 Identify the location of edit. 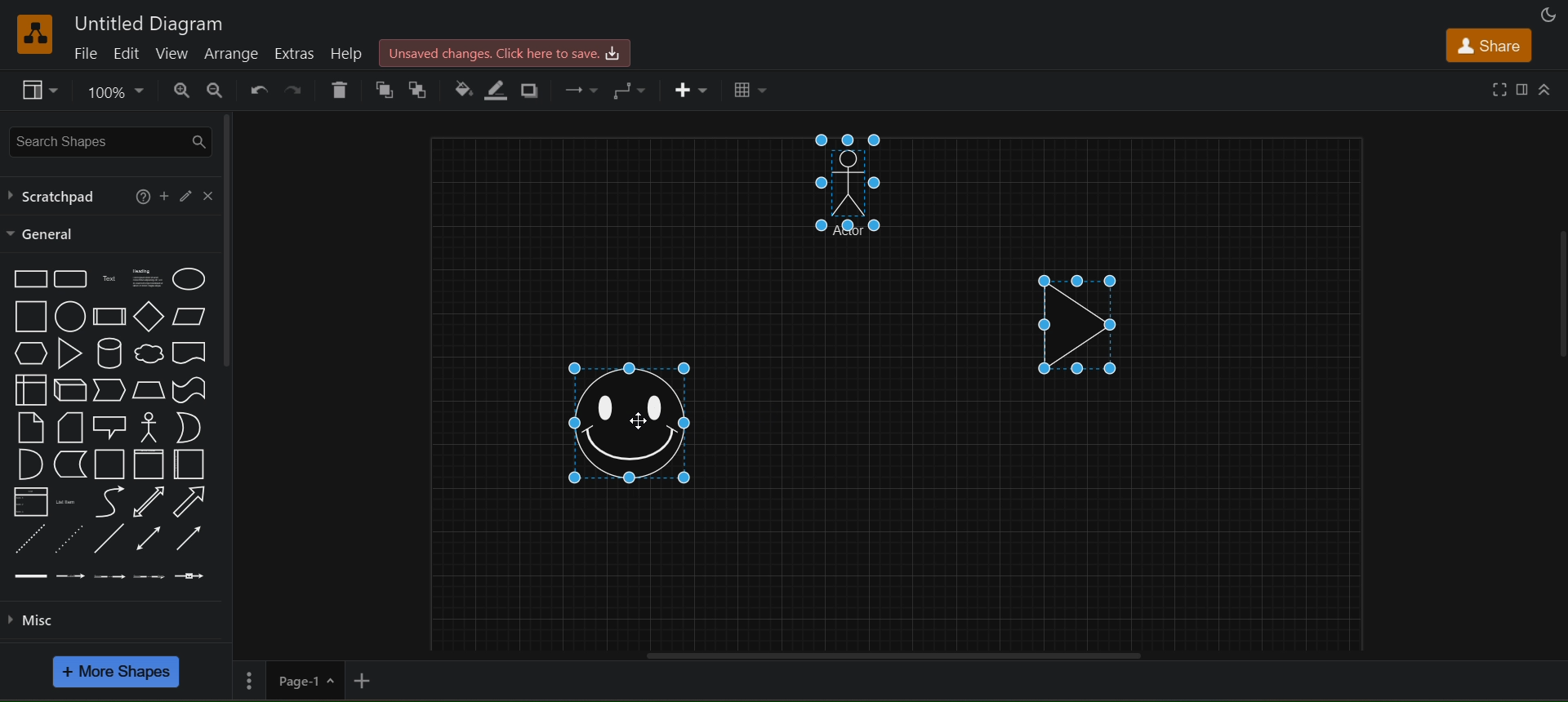
(189, 196).